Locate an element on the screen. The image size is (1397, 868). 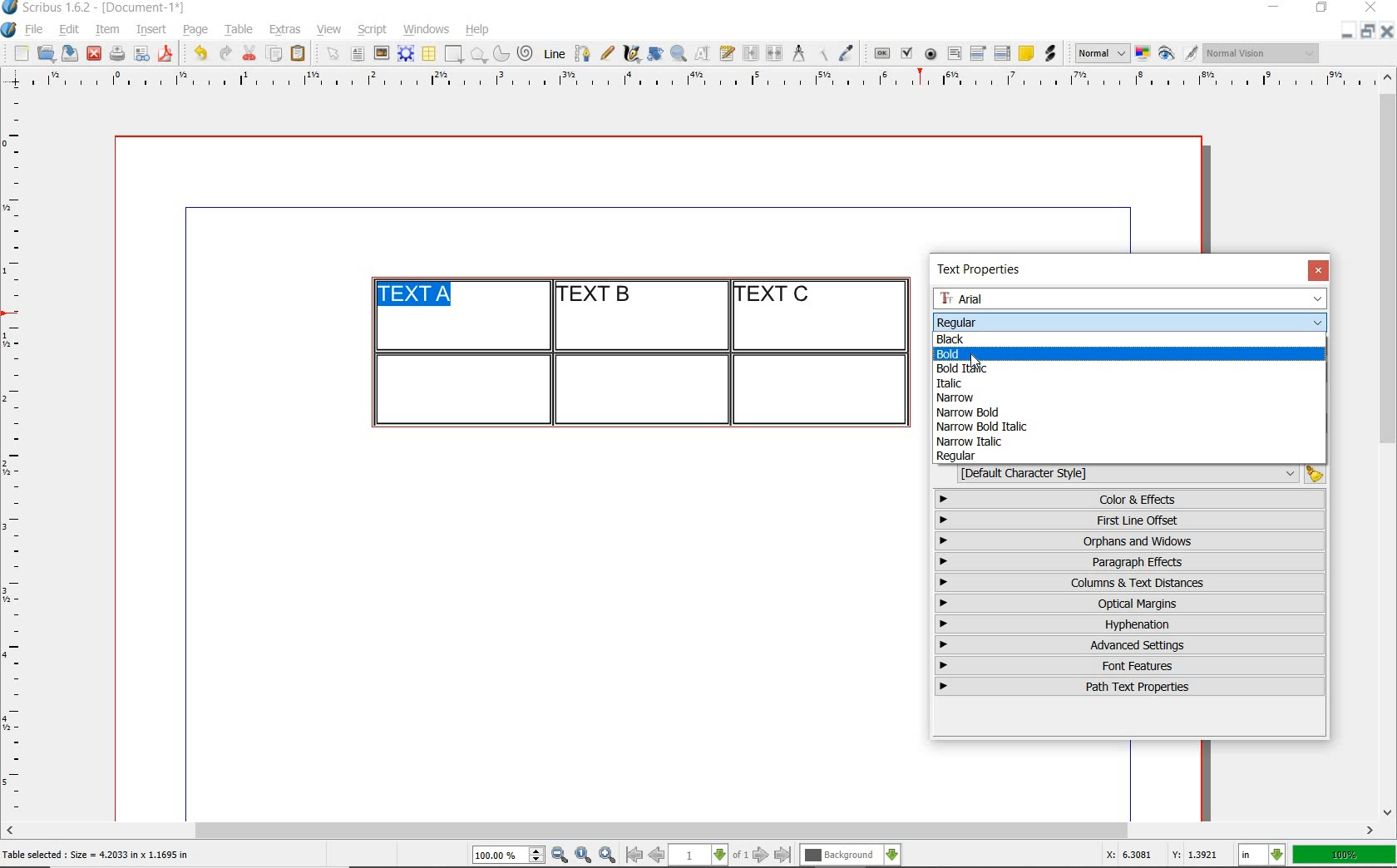
scrollbar is located at coordinates (1389, 443).